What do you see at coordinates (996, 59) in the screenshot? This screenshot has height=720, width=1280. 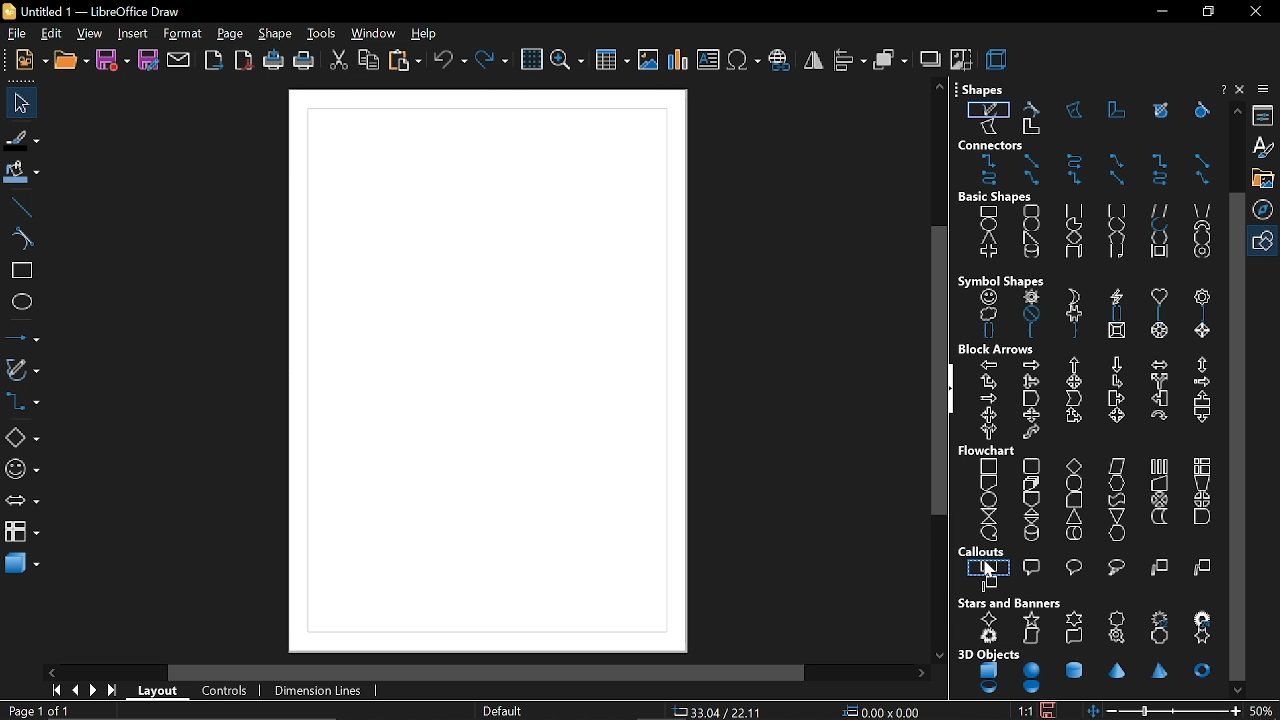 I see `3d effect` at bounding box center [996, 59].